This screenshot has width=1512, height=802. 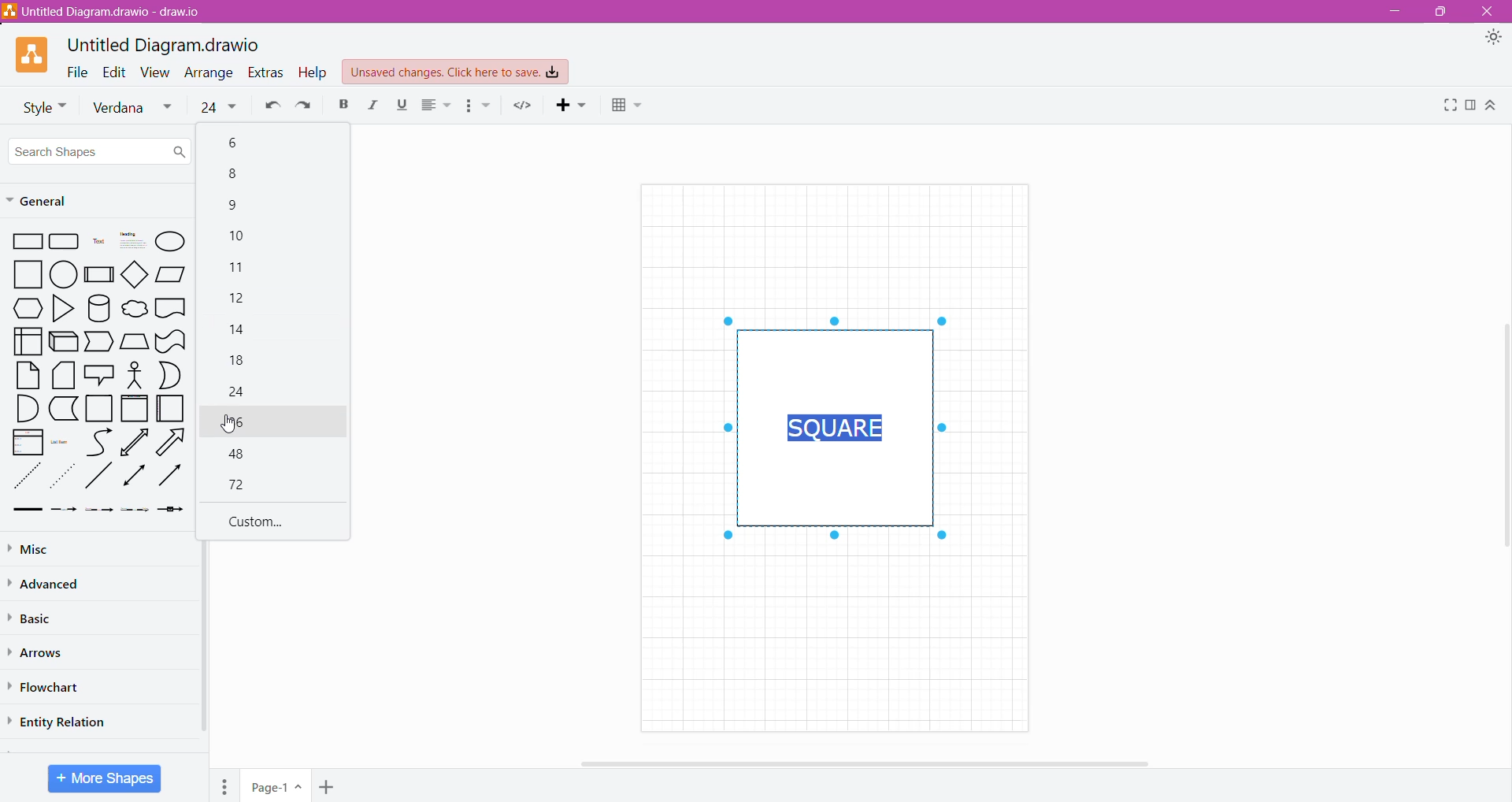 What do you see at coordinates (1498, 109) in the screenshot?
I see `Expand/Collapse` at bounding box center [1498, 109].